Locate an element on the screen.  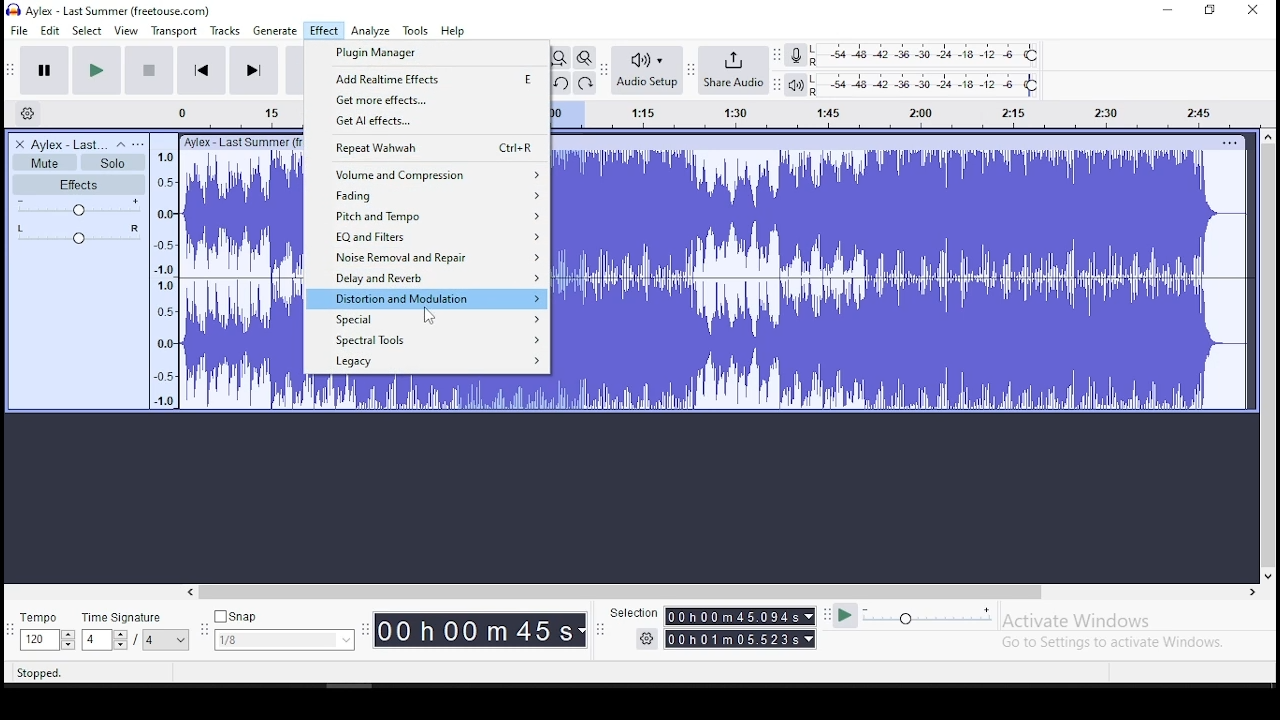
Selection is located at coordinates (627, 611).